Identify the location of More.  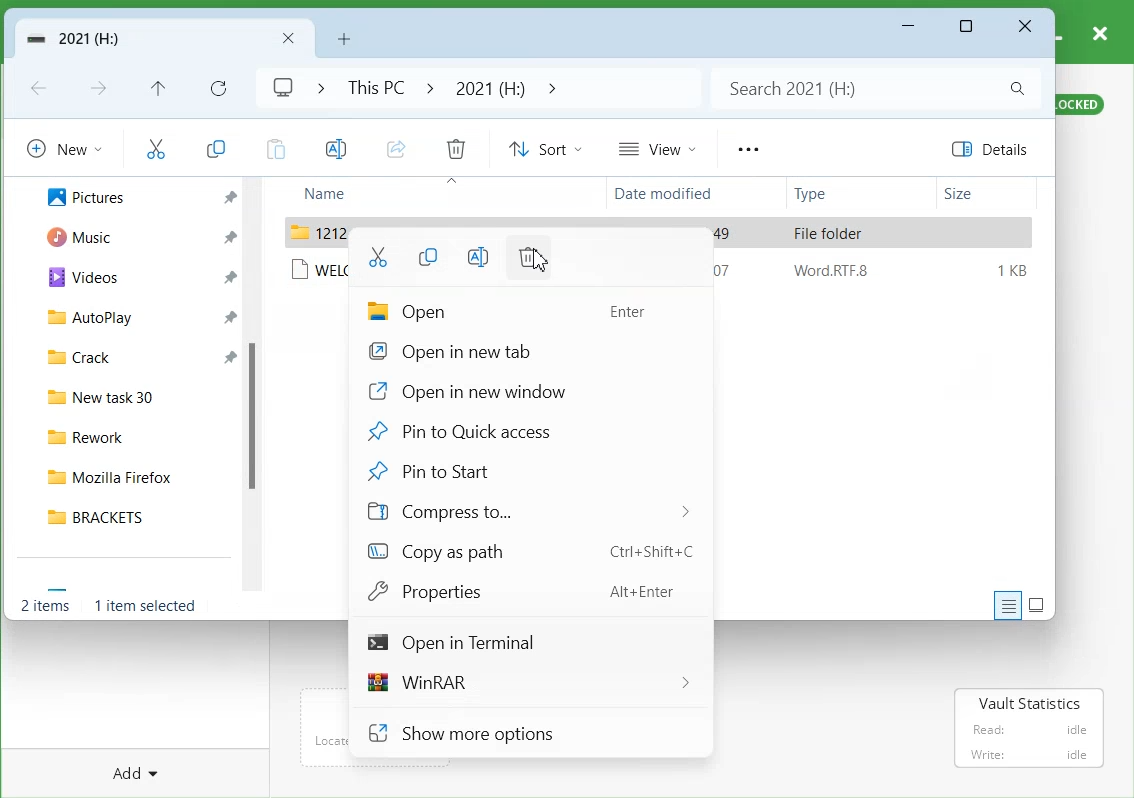
(747, 149).